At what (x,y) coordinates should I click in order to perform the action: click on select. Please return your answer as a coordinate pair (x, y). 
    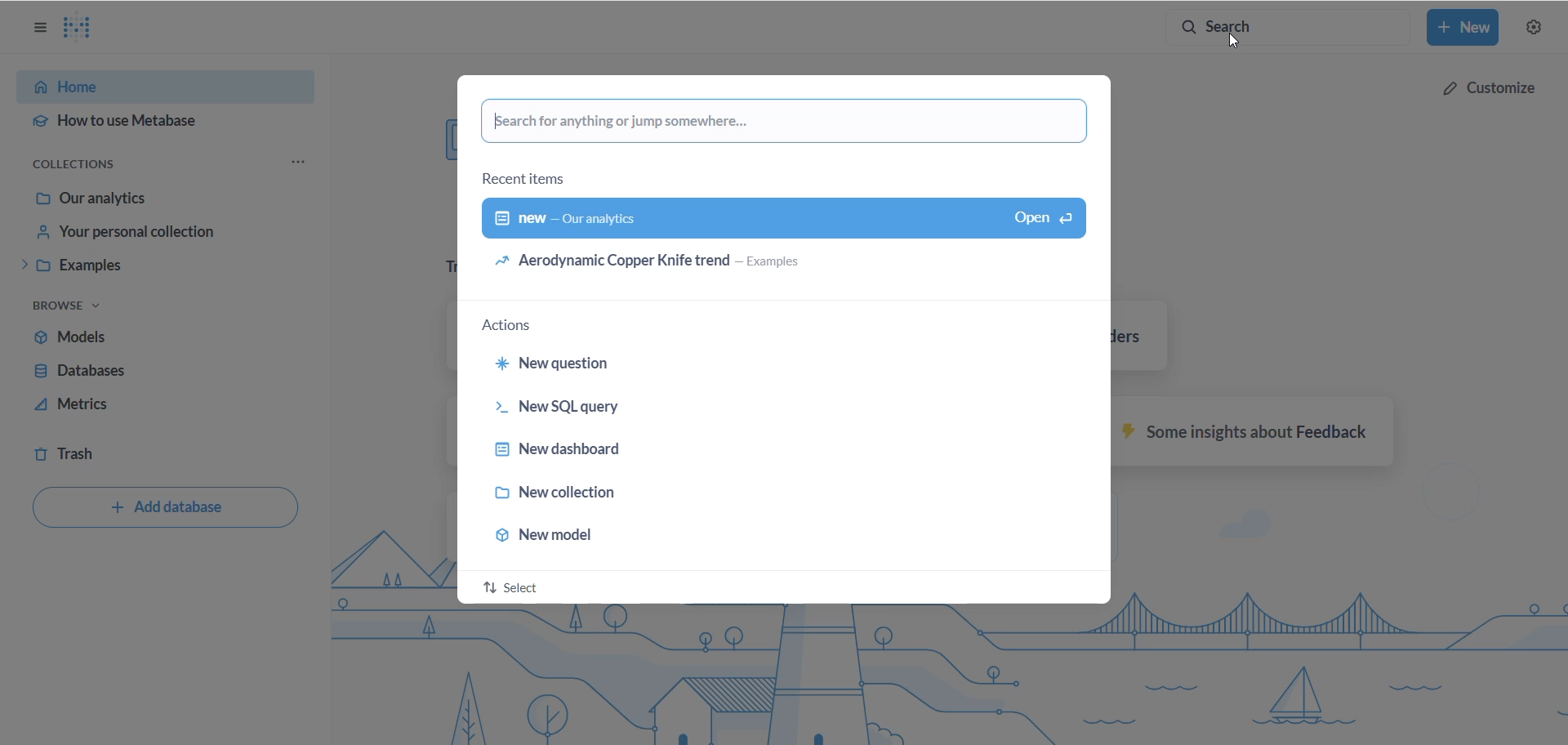
    Looking at the image, I should click on (514, 588).